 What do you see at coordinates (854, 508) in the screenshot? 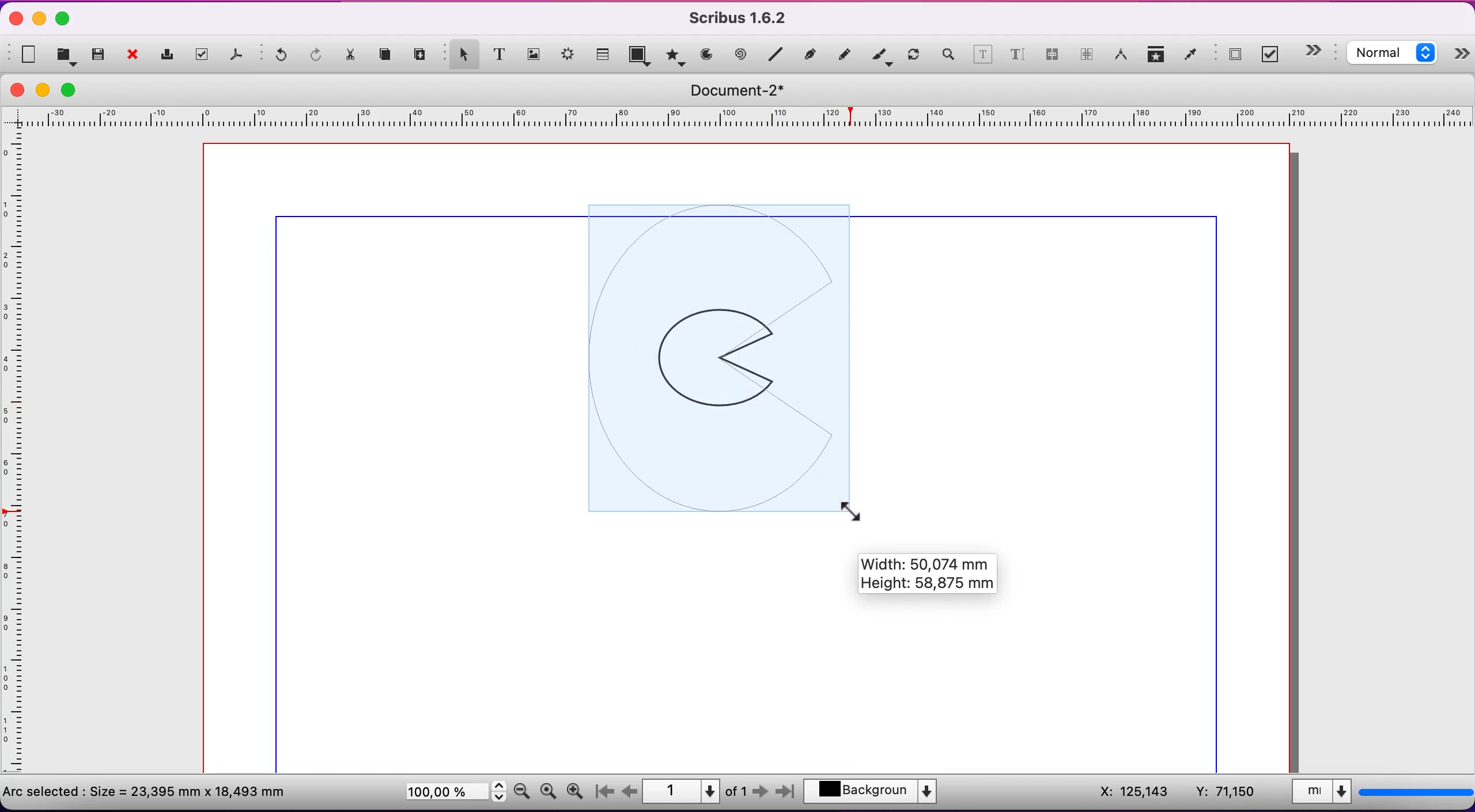
I see `cursor` at bounding box center [854, 508].